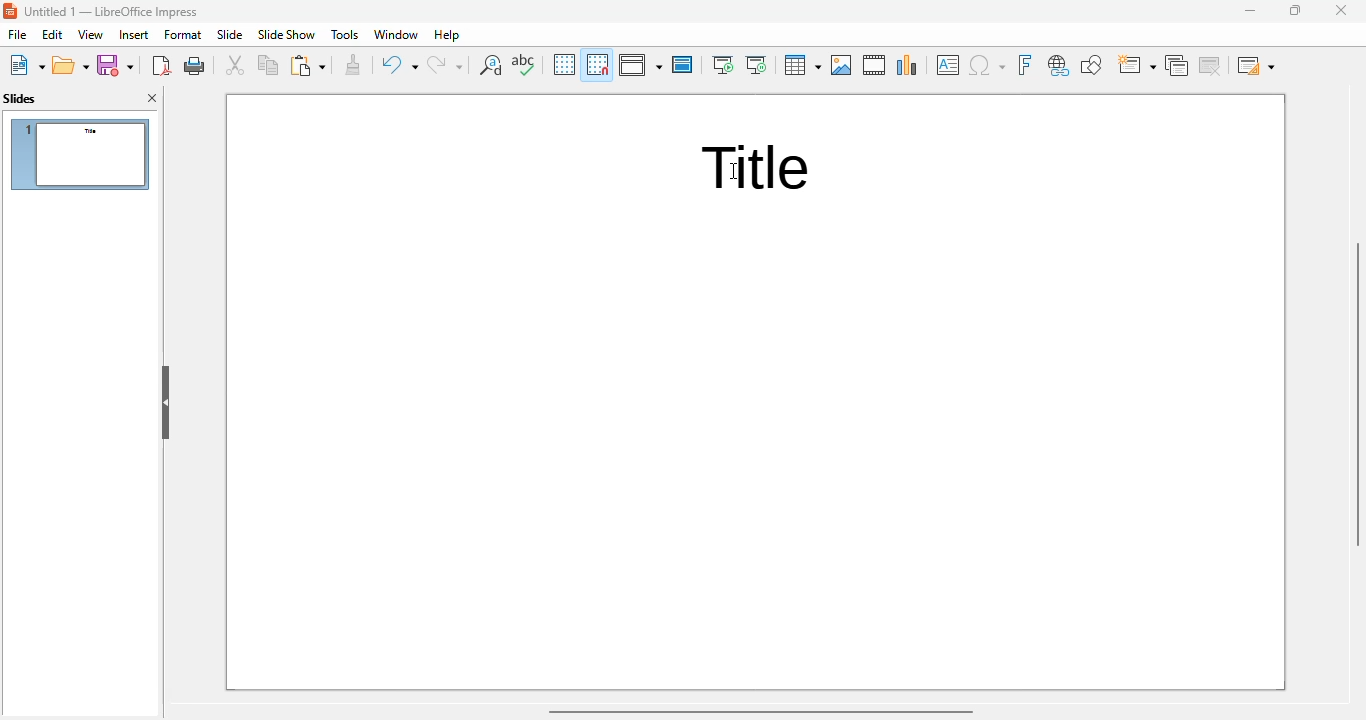  Describe the element at coordinates (756, 65) in the screenshot. I see `start from current slide` at that location.